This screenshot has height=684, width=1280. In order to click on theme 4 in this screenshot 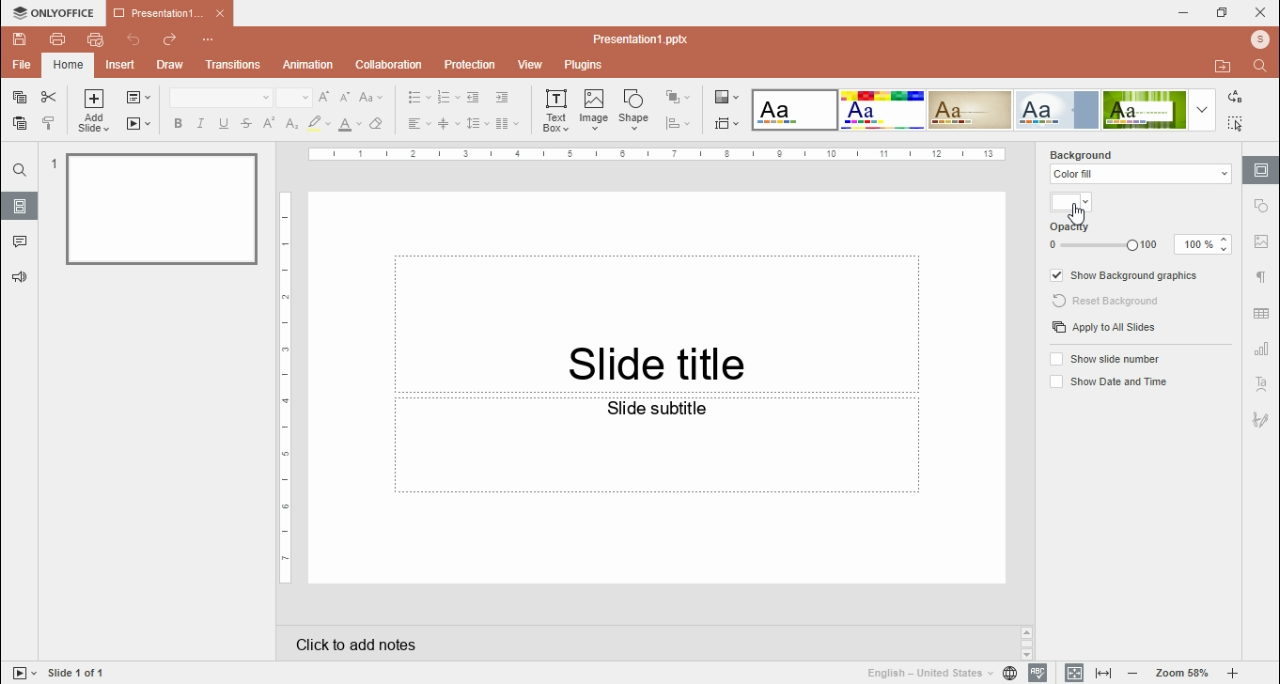, I will do `click(1056, 111)`.